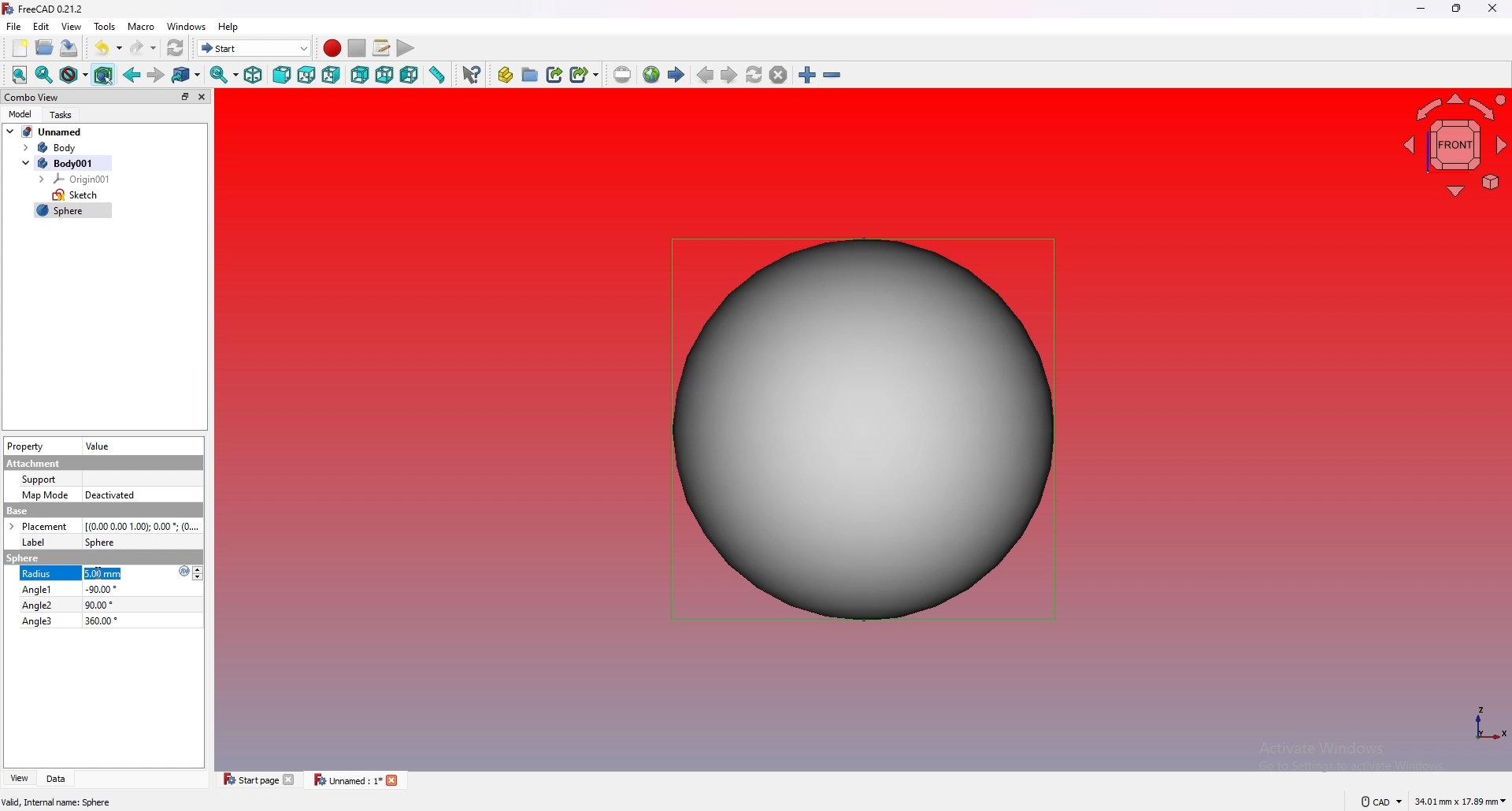  Describe the element at coordinates (385, 76) in the screenshot. I see `bottom` at that location.